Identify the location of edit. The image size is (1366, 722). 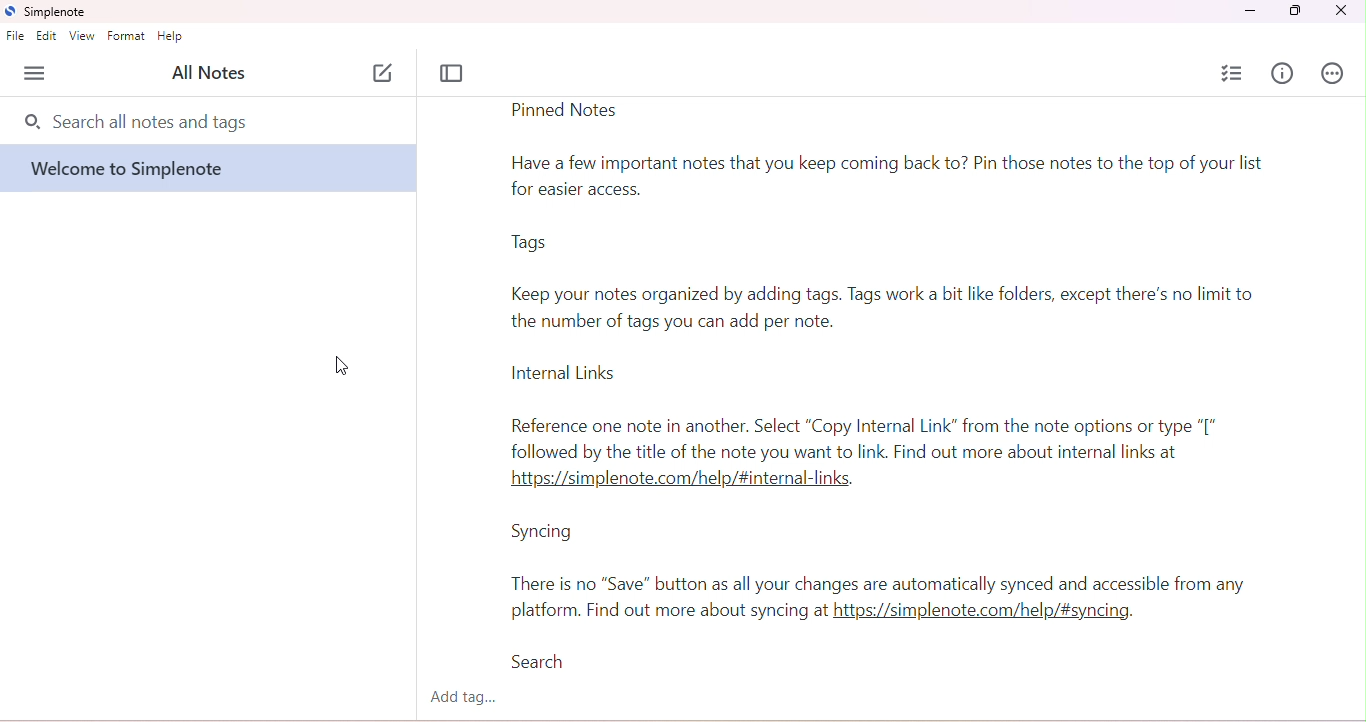
(47, 36).